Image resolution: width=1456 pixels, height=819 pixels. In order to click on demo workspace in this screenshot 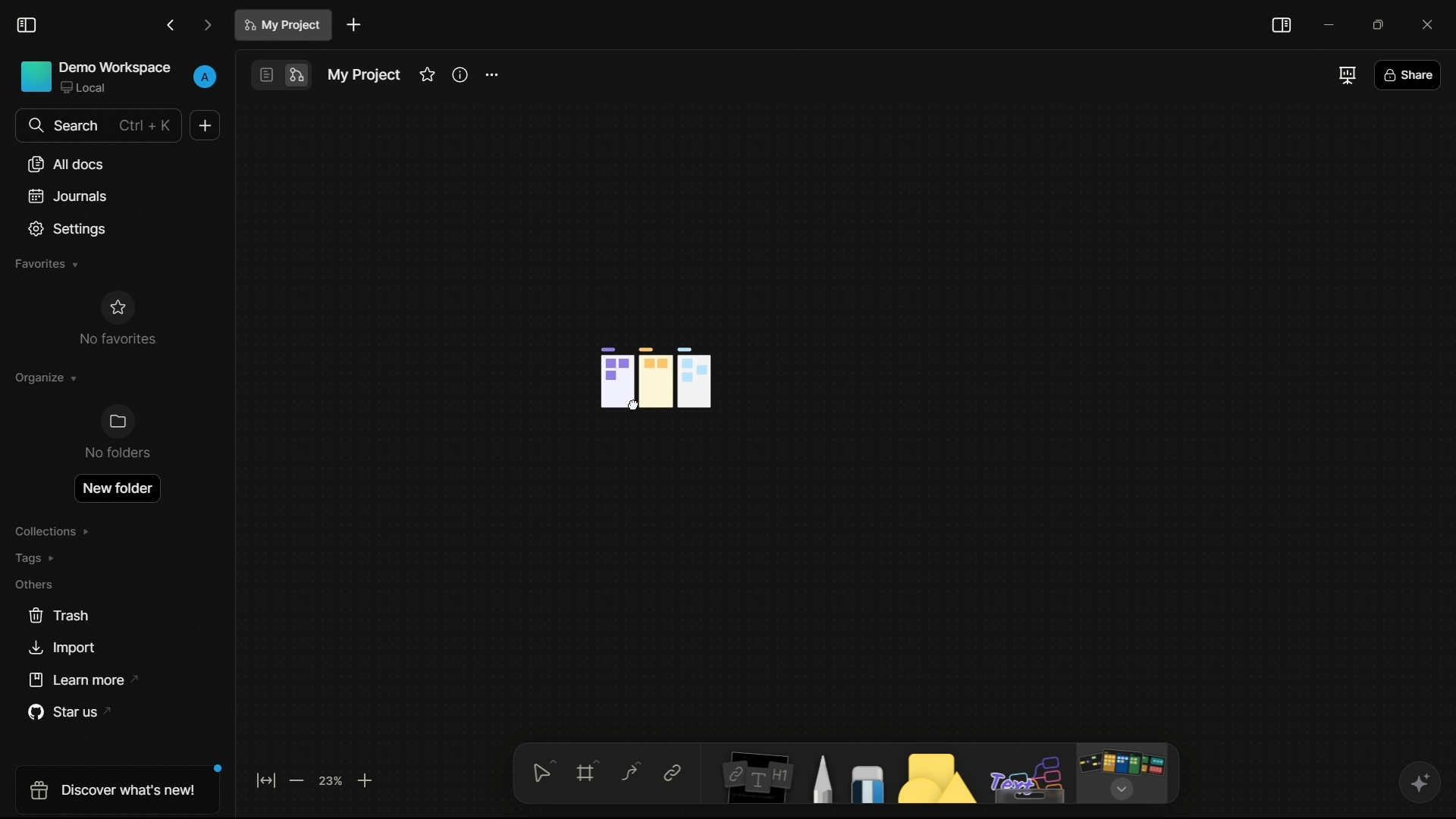, I will do `click(96, 78)`.